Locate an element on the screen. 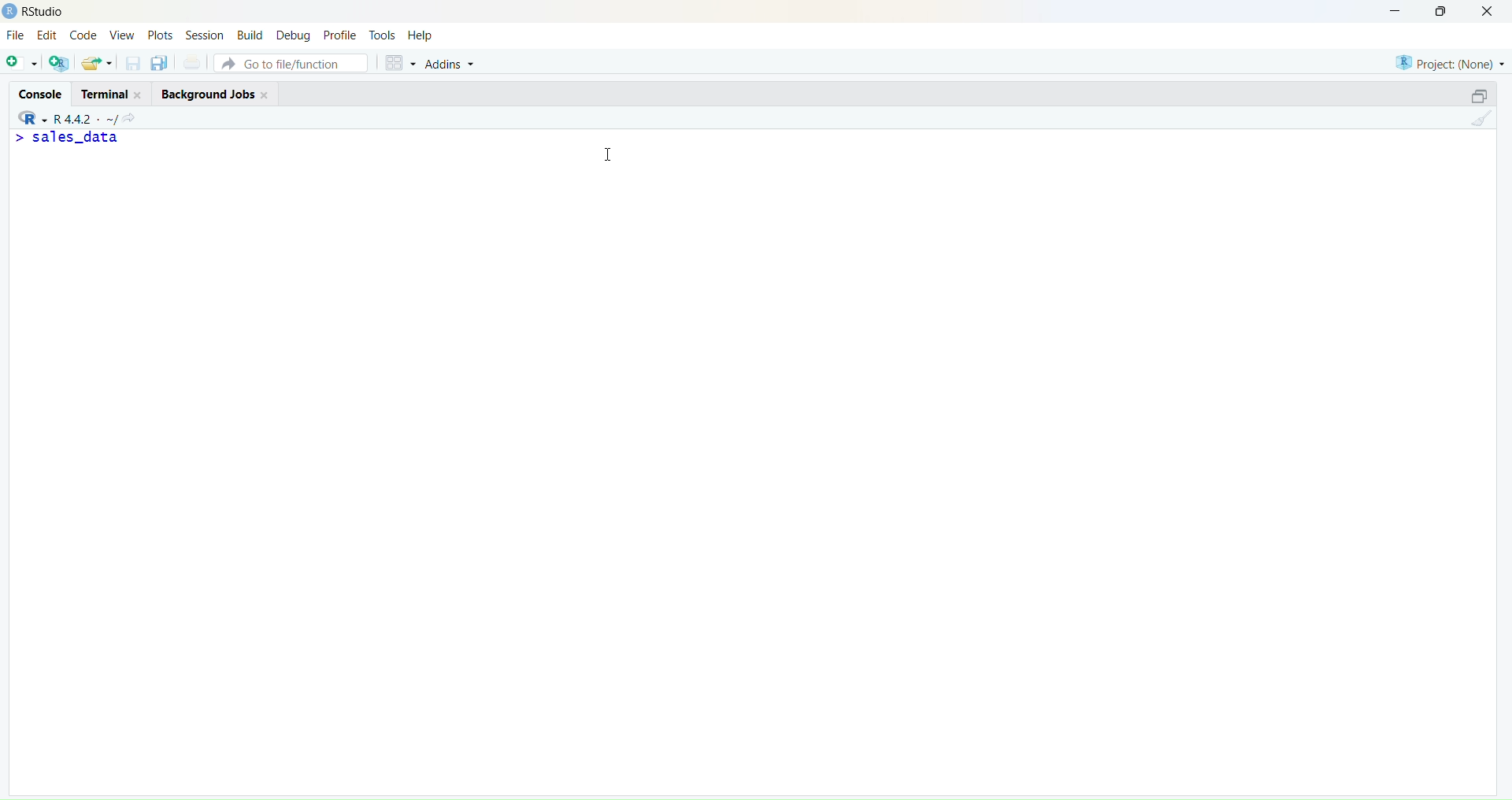  clear is located at coordinates (1485, 122).